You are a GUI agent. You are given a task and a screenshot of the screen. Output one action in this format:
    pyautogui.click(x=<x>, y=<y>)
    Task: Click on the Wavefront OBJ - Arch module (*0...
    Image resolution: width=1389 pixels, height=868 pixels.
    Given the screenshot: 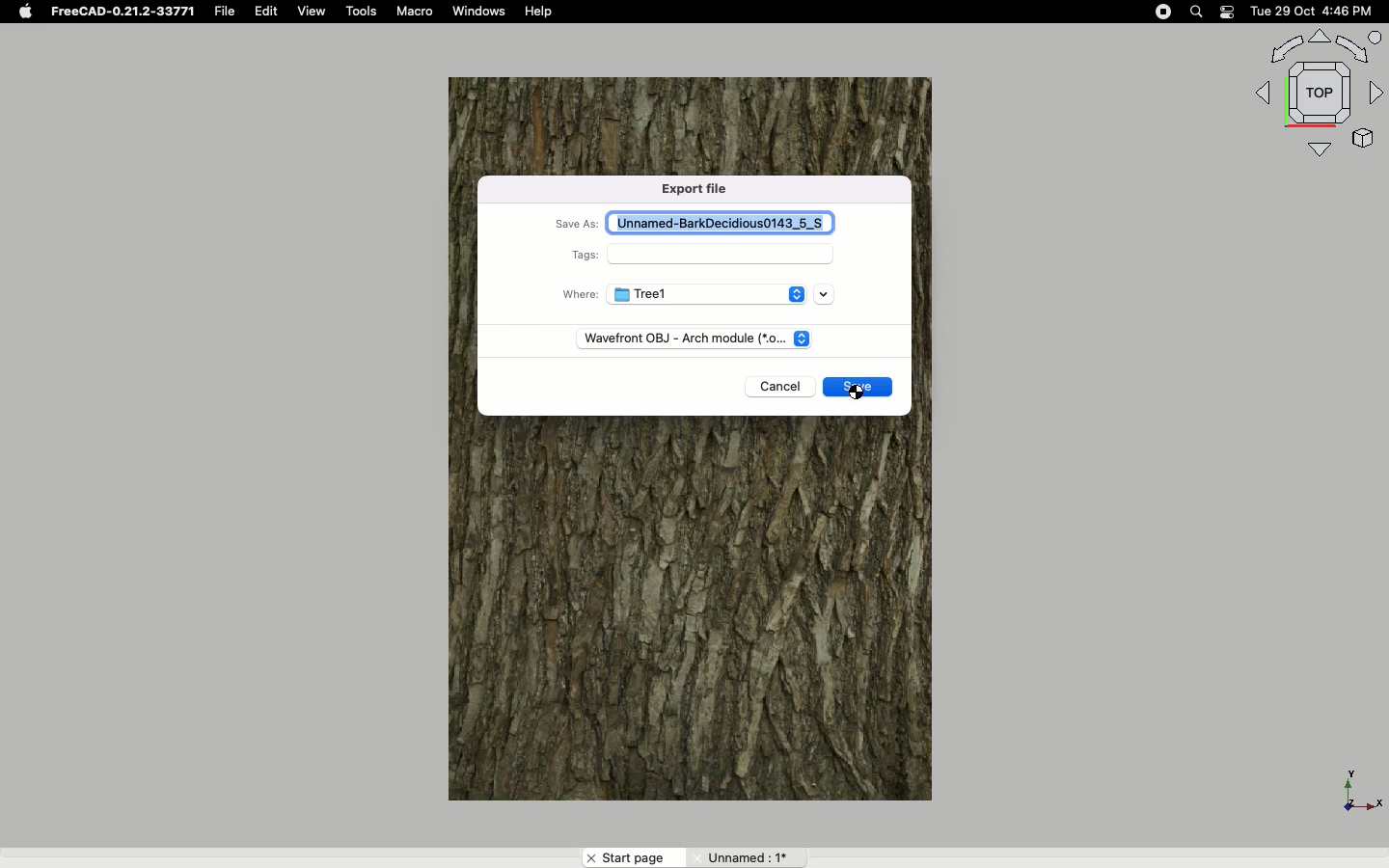 What is the action you would take?
    pyautogui.click(x=681, y=336)
    